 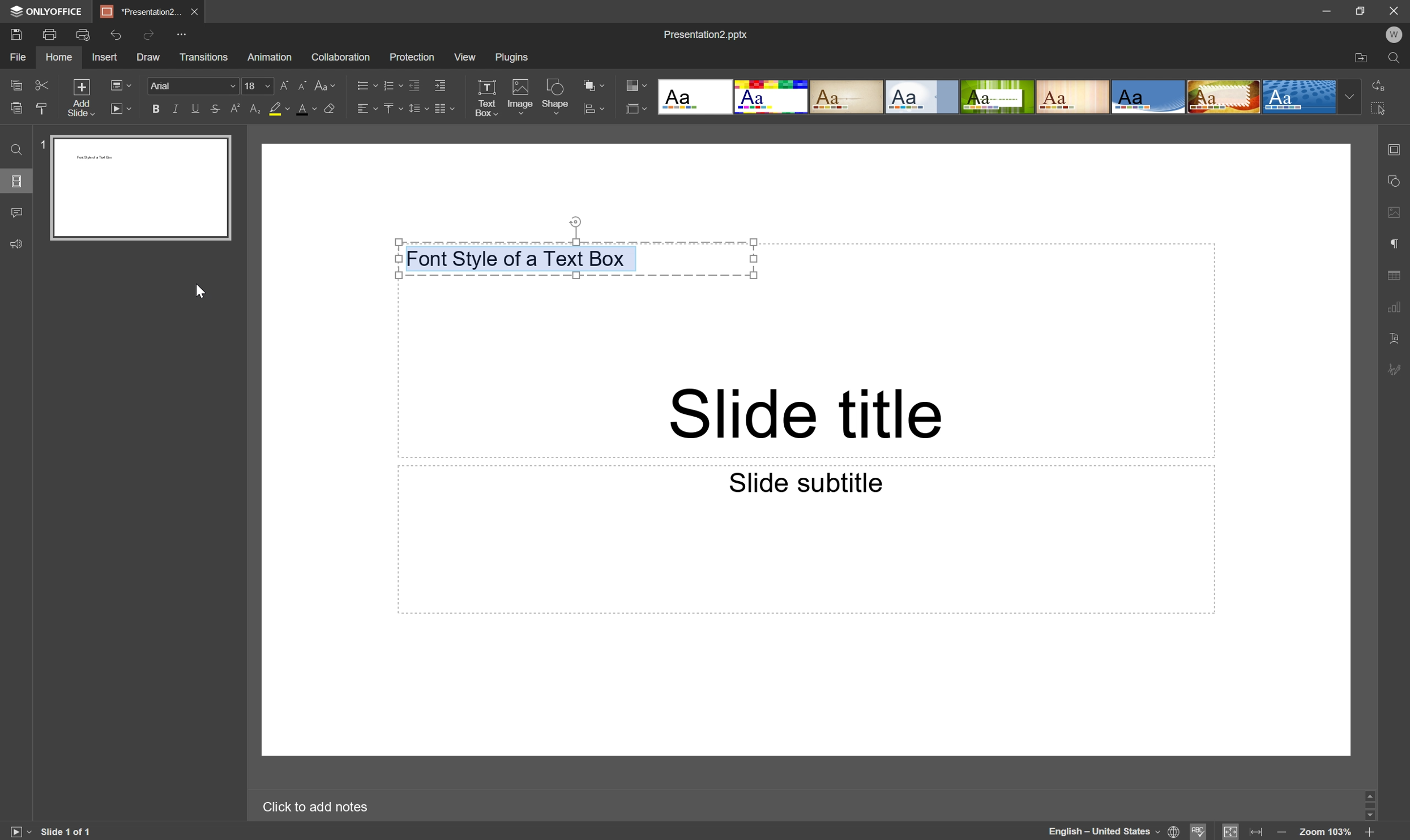 What do you see at coordinates (413, 82) in the screenshot?
I see `Decrease indent` at bounding box center [413, 82].